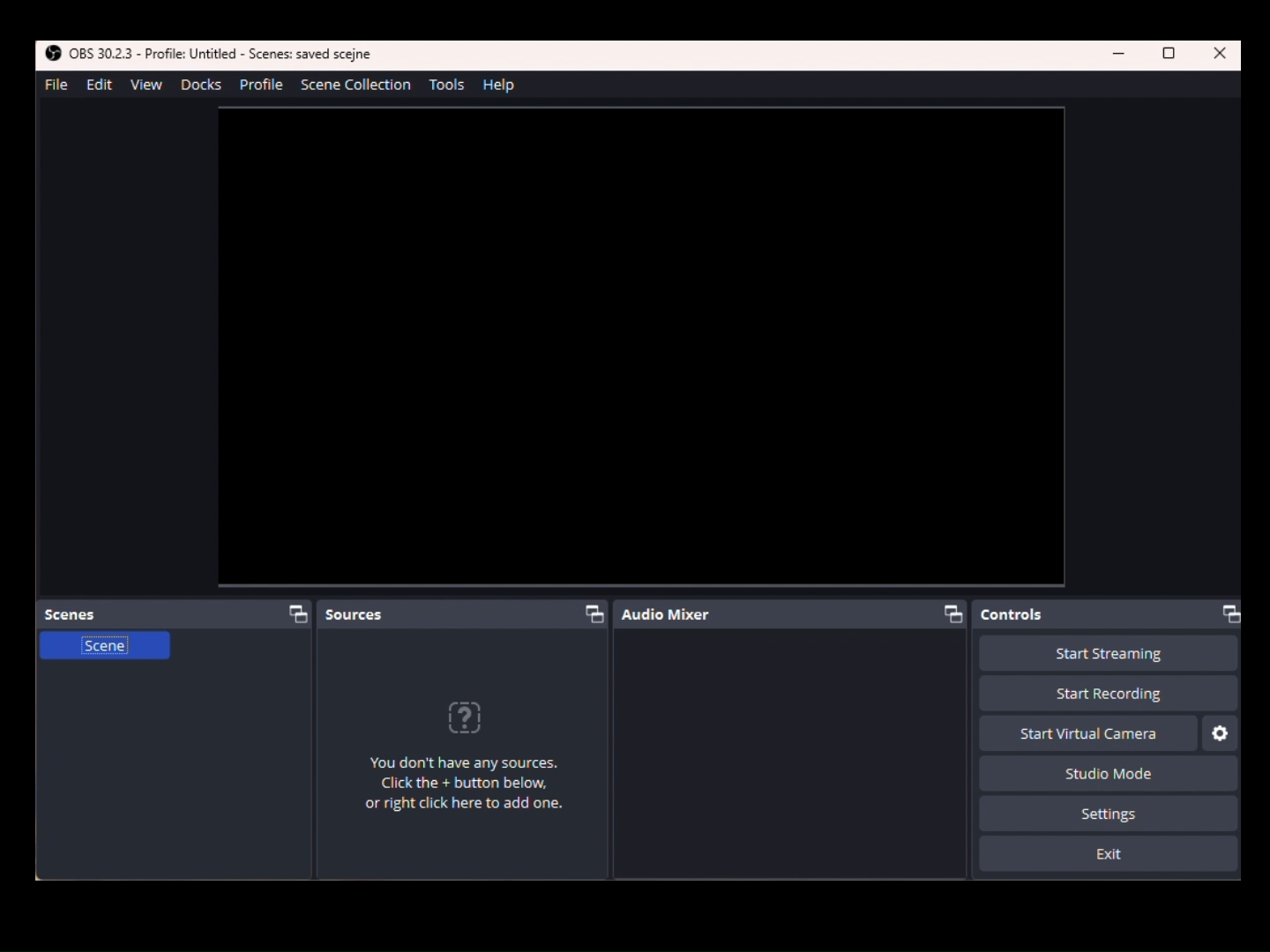  Describe the element at coordinates (796, 615) in the screenshot. I see `Audio Mixer` at that location.